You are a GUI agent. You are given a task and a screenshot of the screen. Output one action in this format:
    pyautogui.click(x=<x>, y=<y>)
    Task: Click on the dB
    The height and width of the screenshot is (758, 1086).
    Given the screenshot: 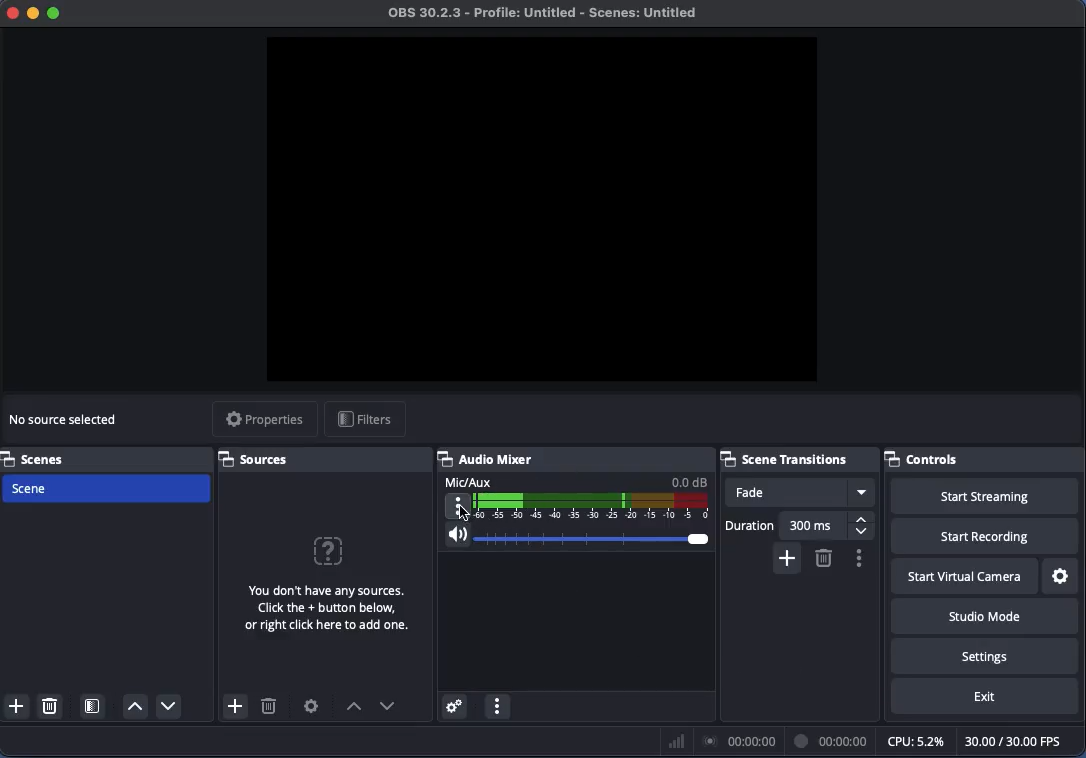 What is the action you would take?
    pyautogui.click(x=690, y=481)
    